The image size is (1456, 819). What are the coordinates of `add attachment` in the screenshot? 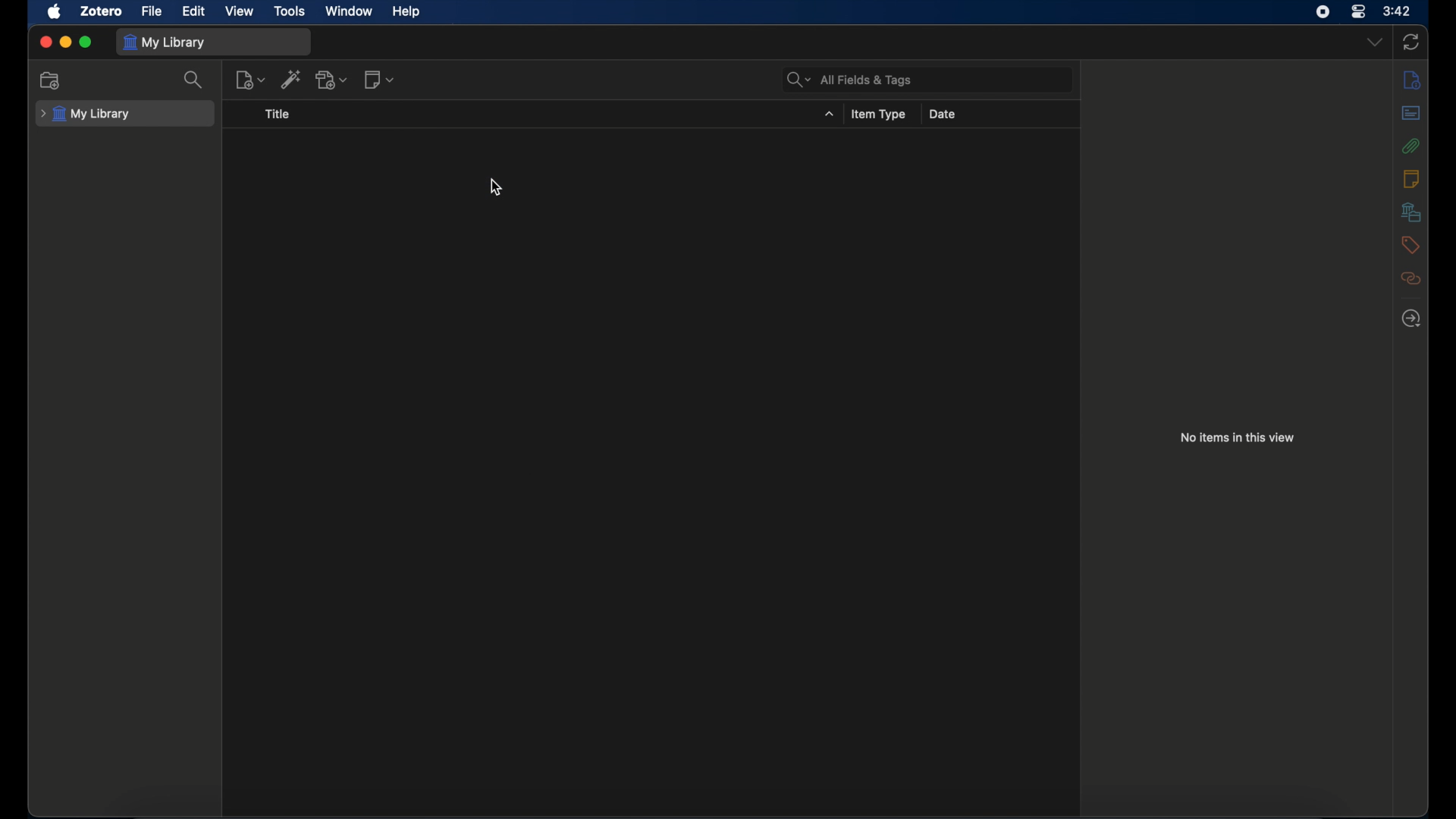 It's located at (332, 80).